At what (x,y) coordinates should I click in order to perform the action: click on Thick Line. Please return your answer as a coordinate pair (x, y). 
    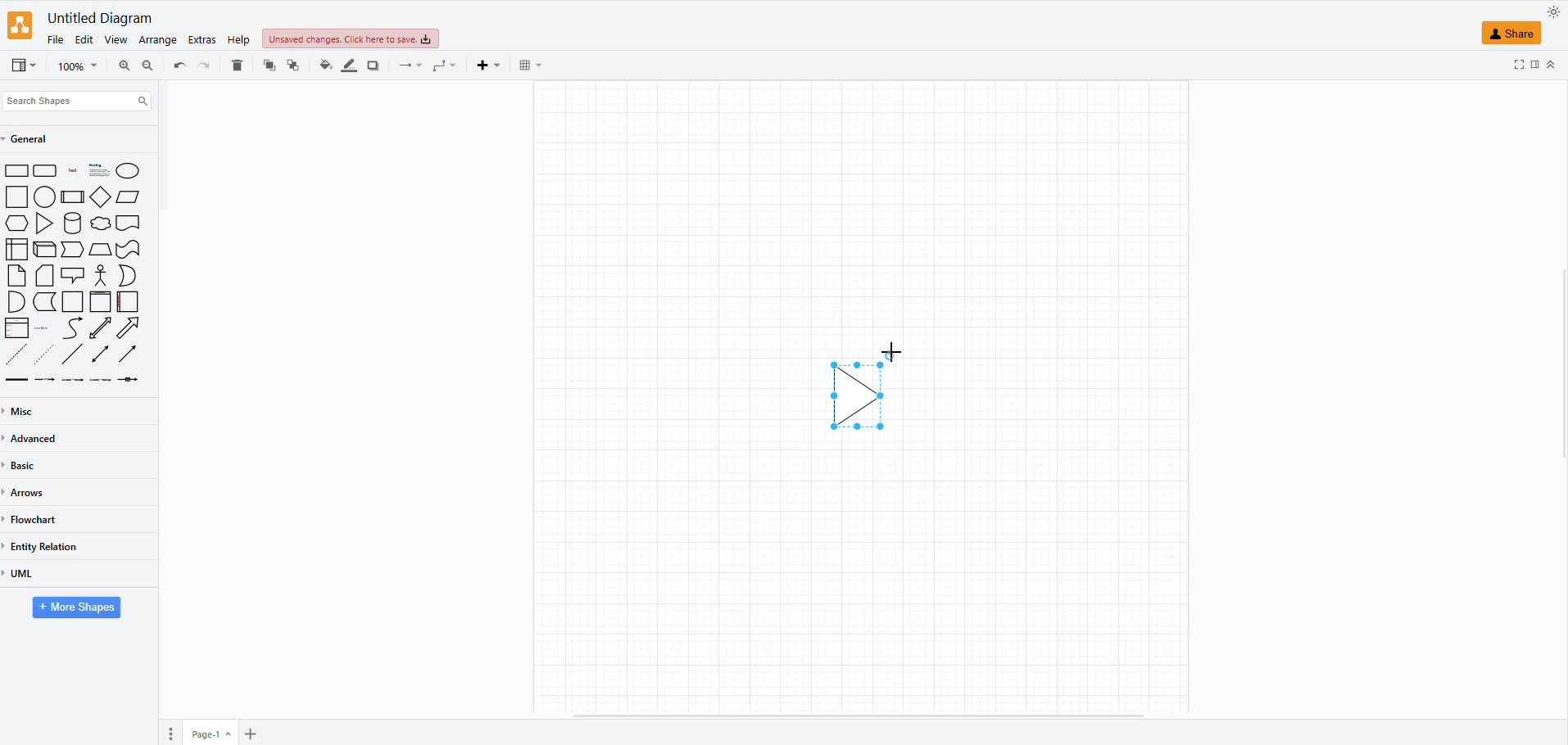
    Looking at the image, I should click on (16, 380).